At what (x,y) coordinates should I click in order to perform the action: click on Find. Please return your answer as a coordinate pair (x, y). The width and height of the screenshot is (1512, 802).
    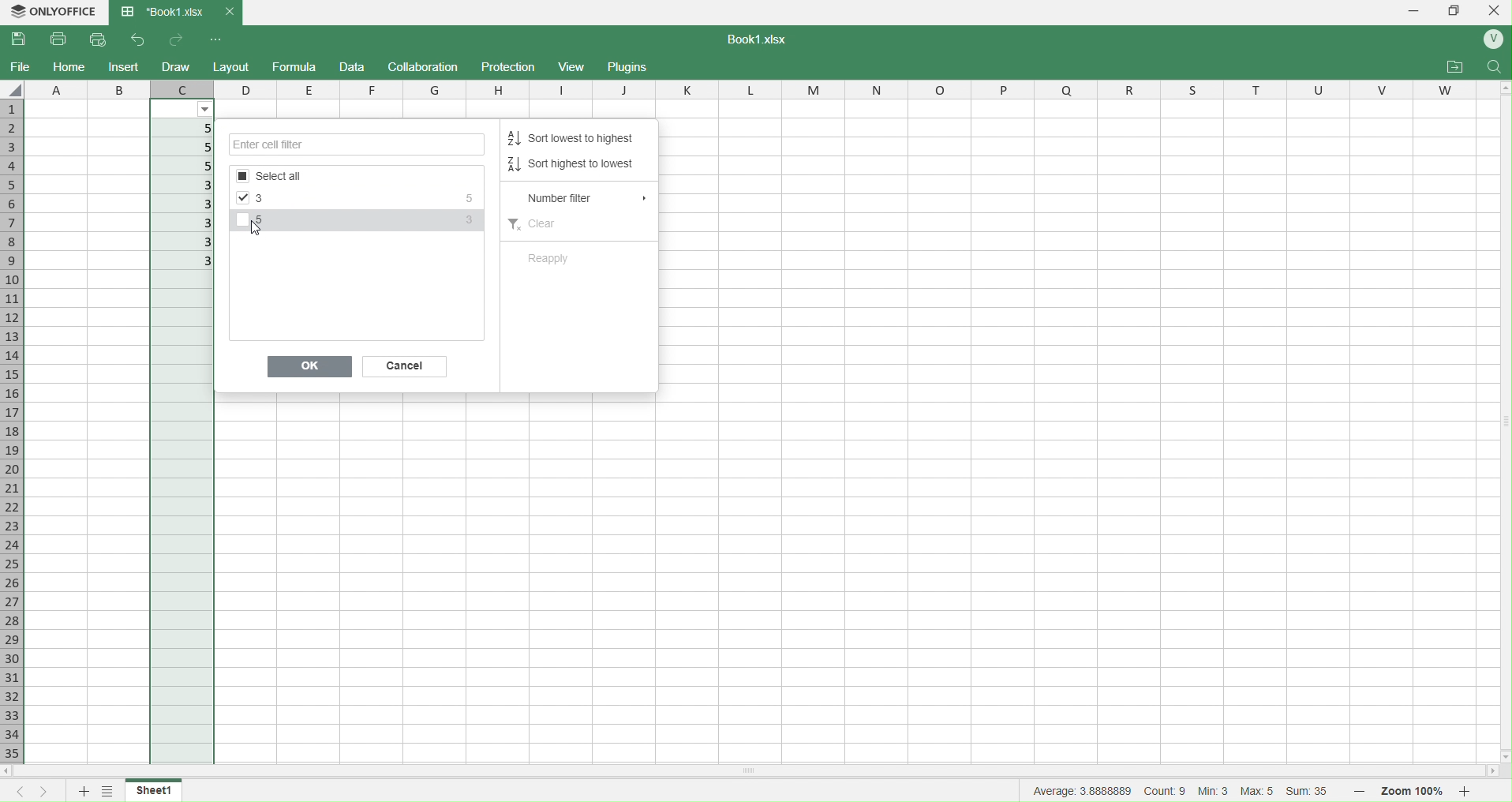
    Looking at the image, I should click on (1492, 68).